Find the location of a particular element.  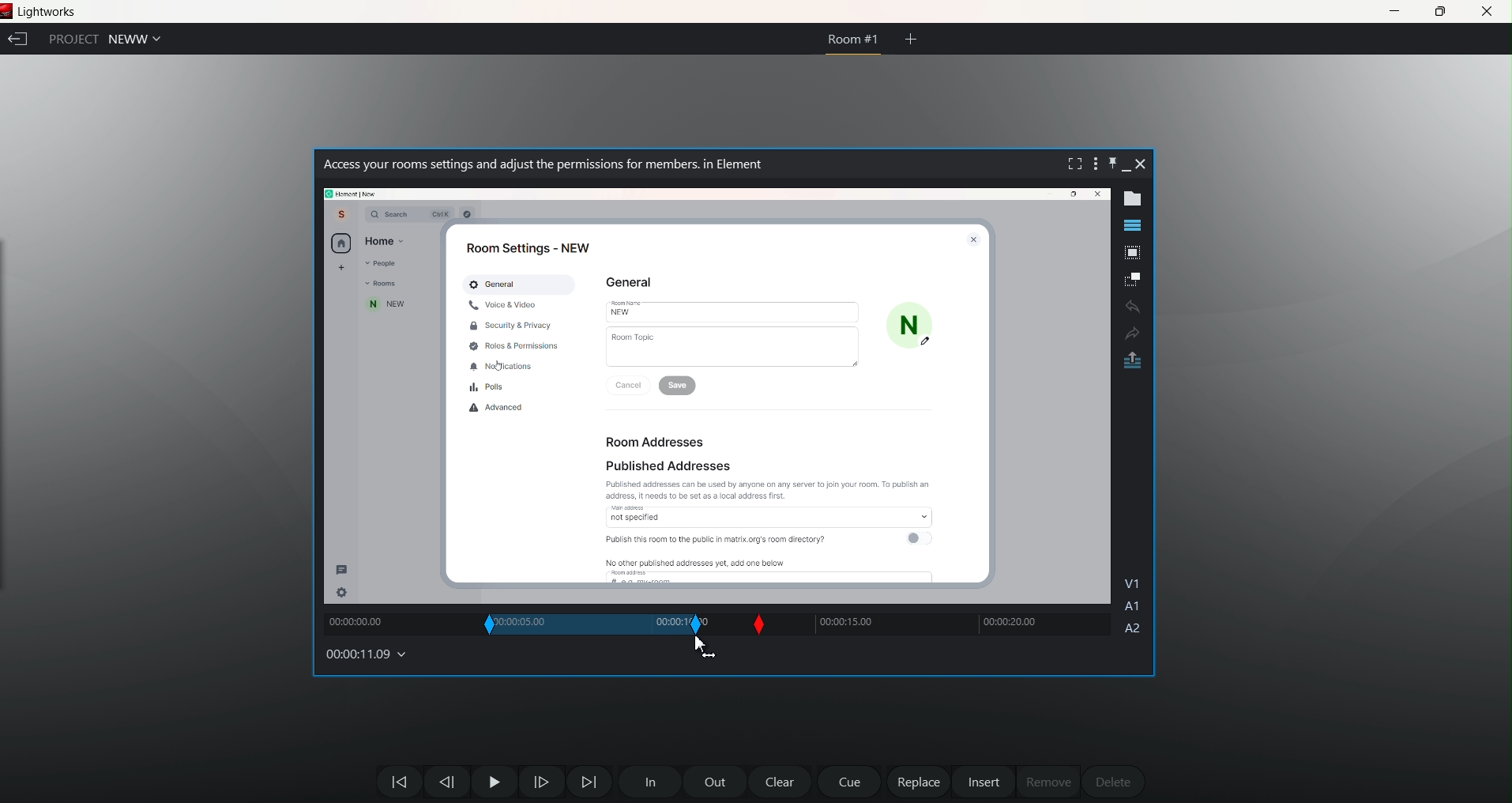

replace is located at coordinates (914, 780).